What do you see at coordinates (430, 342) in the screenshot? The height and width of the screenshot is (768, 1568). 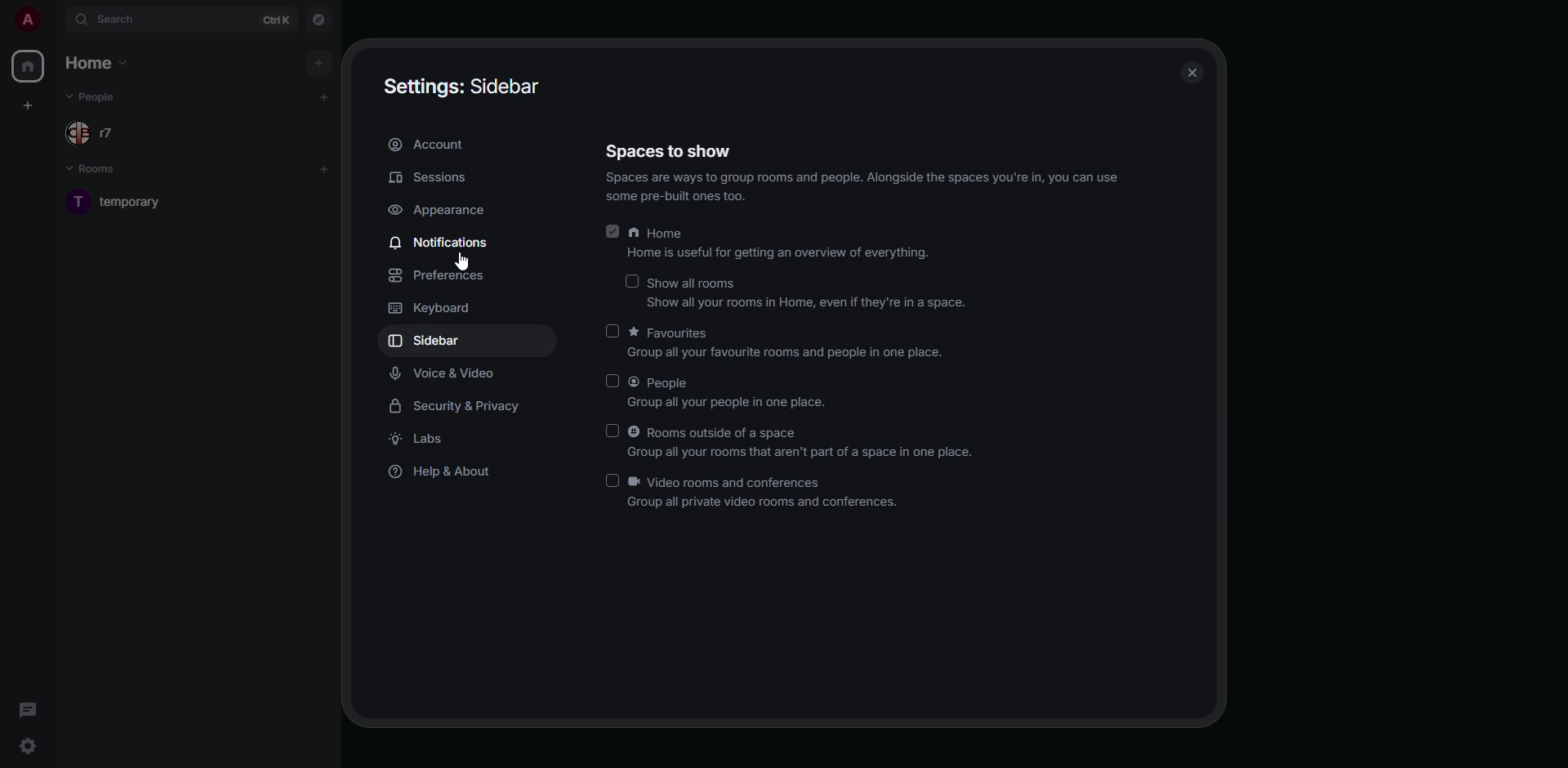 I see `sidebar` at bounding box center [430, 342].